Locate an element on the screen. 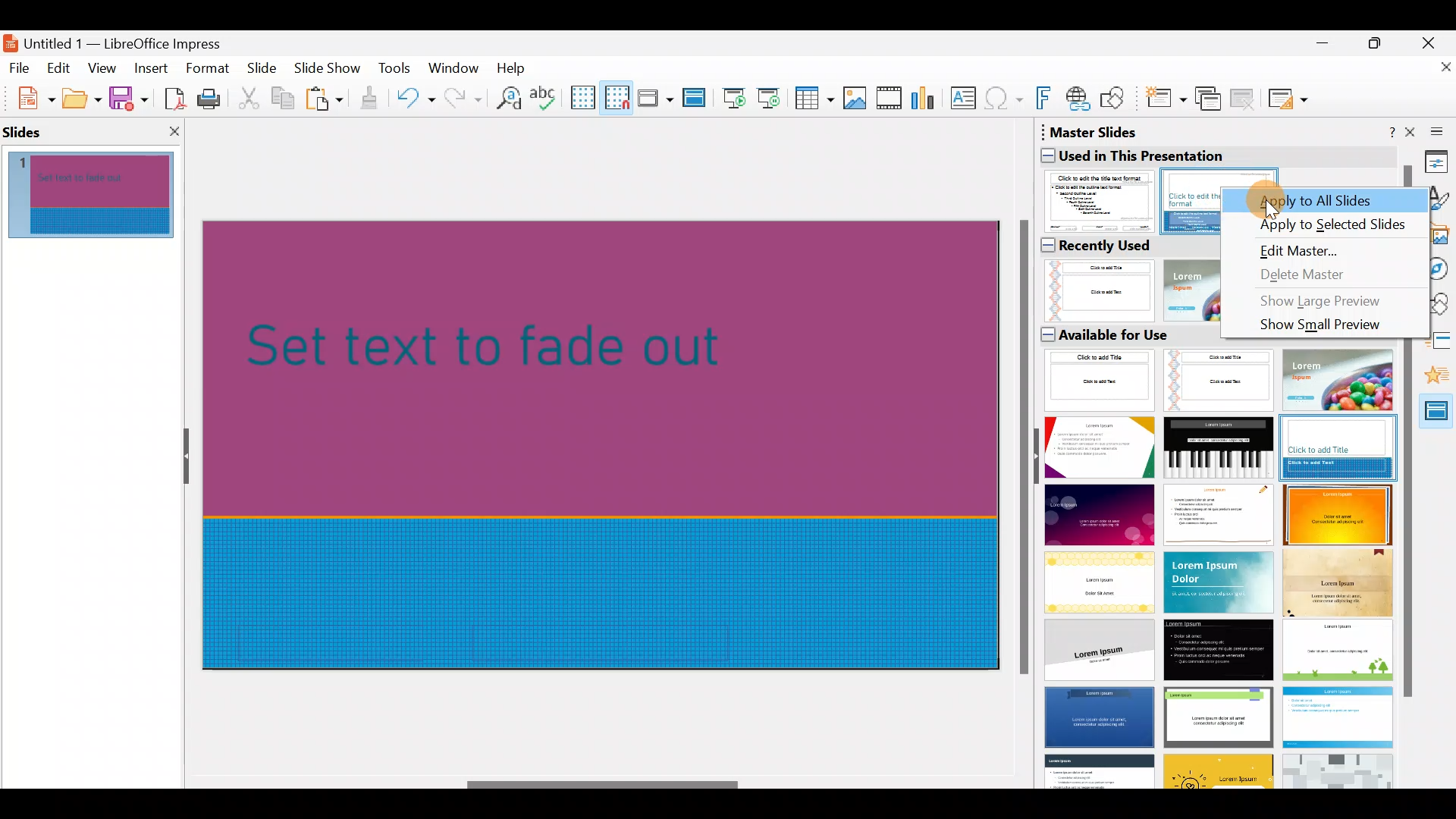 This screenshot has height=819, width=1456. Shapes is located at coordinates (1432, 306).